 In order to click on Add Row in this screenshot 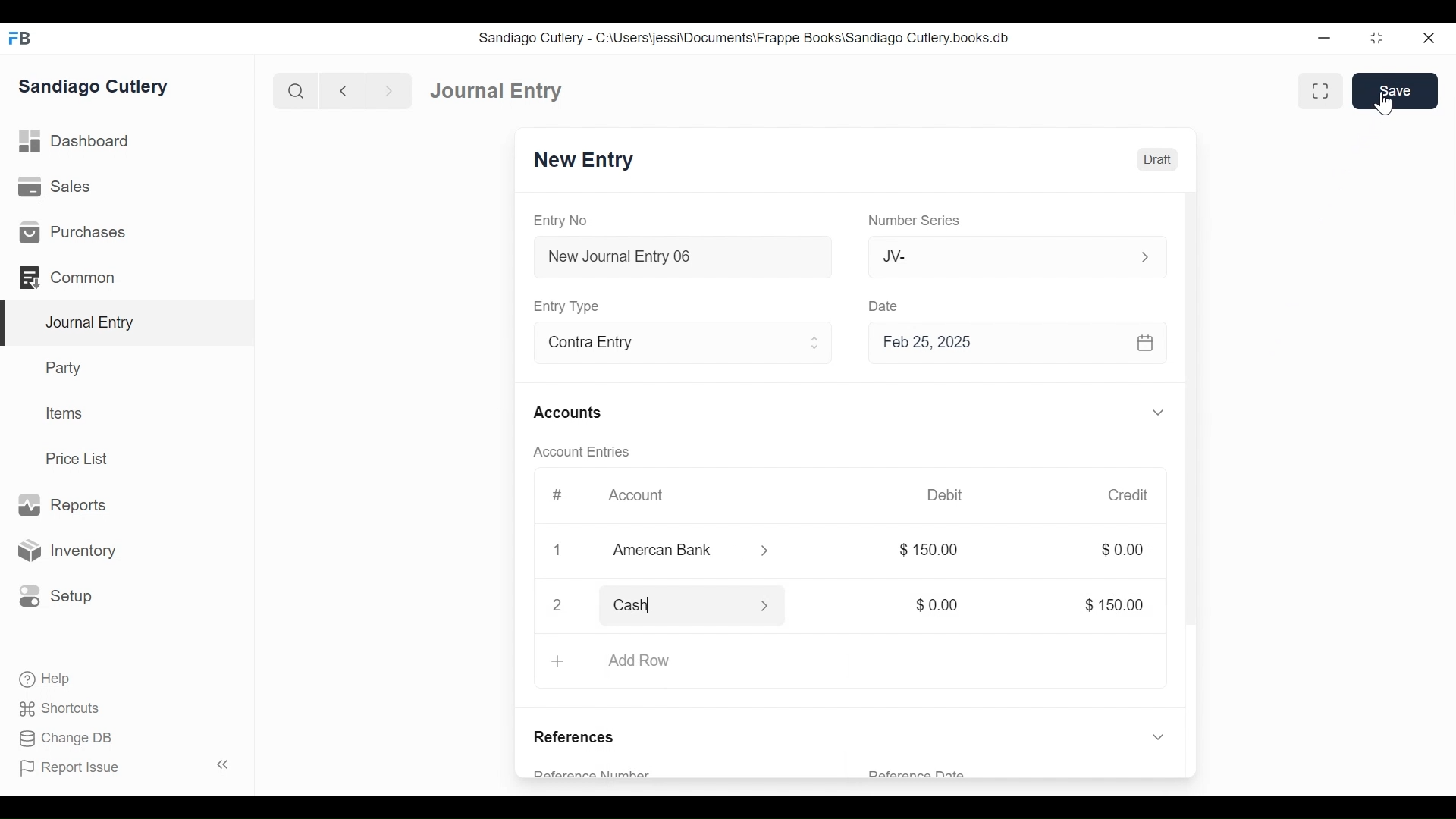, I will do `click(639, 661)`.